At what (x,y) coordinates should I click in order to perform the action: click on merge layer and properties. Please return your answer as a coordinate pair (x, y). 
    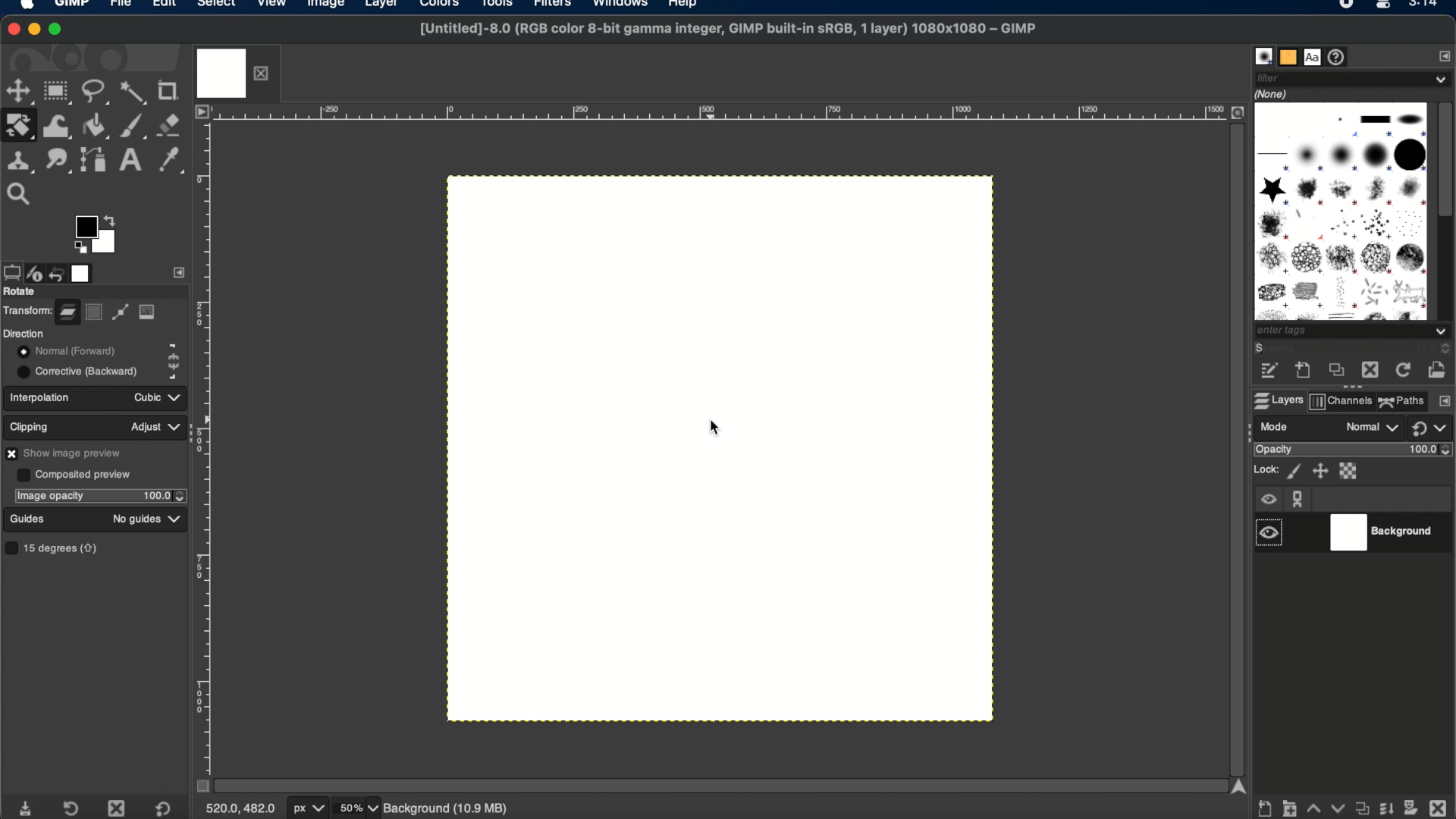
    Looking at the image, I should click on (1384, 805).